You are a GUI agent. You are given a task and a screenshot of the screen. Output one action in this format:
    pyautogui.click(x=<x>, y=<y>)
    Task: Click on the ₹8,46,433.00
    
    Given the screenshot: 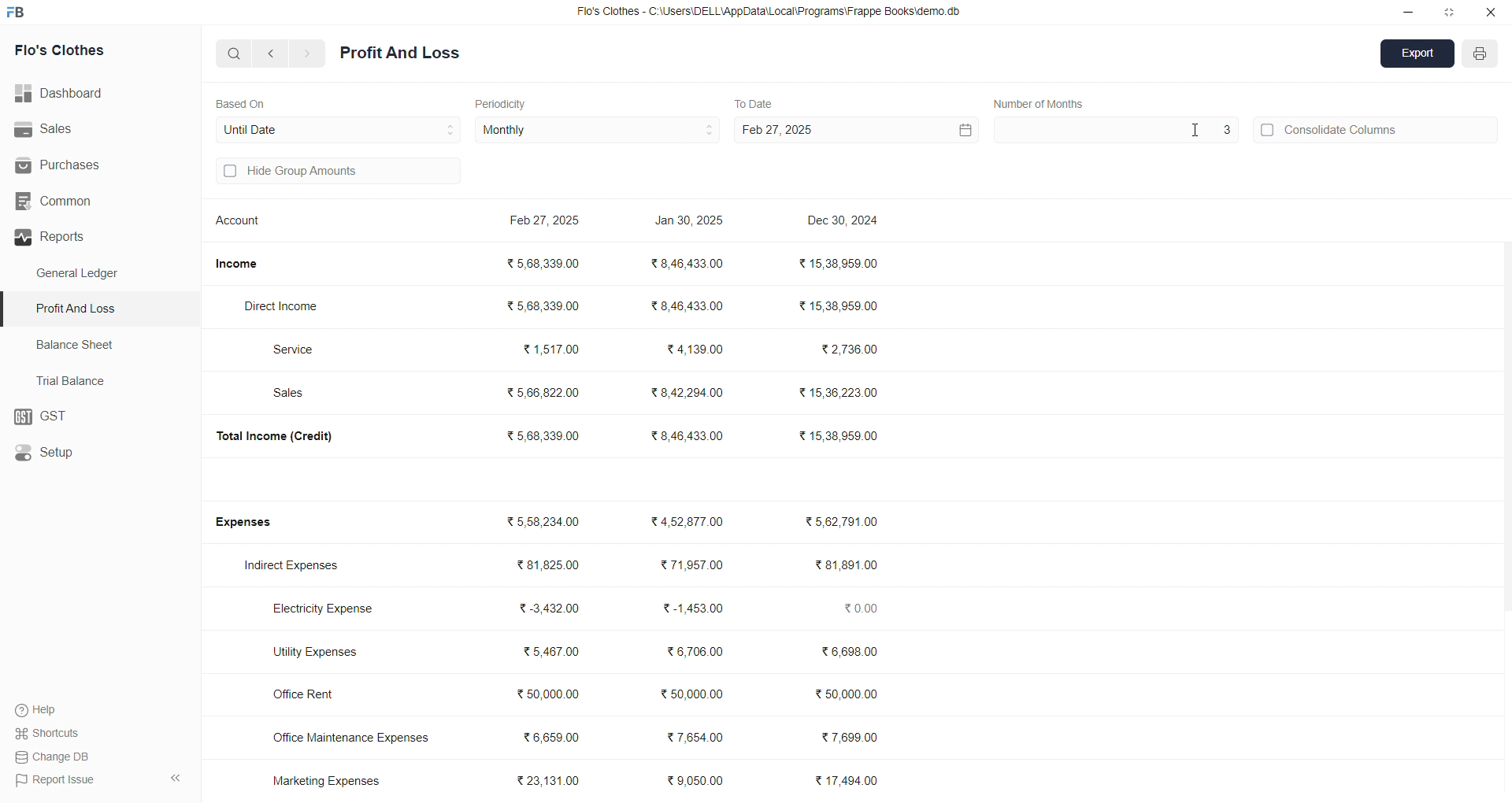 What is the action you would take?
    pyautogui.click(x=691, y=307)
    